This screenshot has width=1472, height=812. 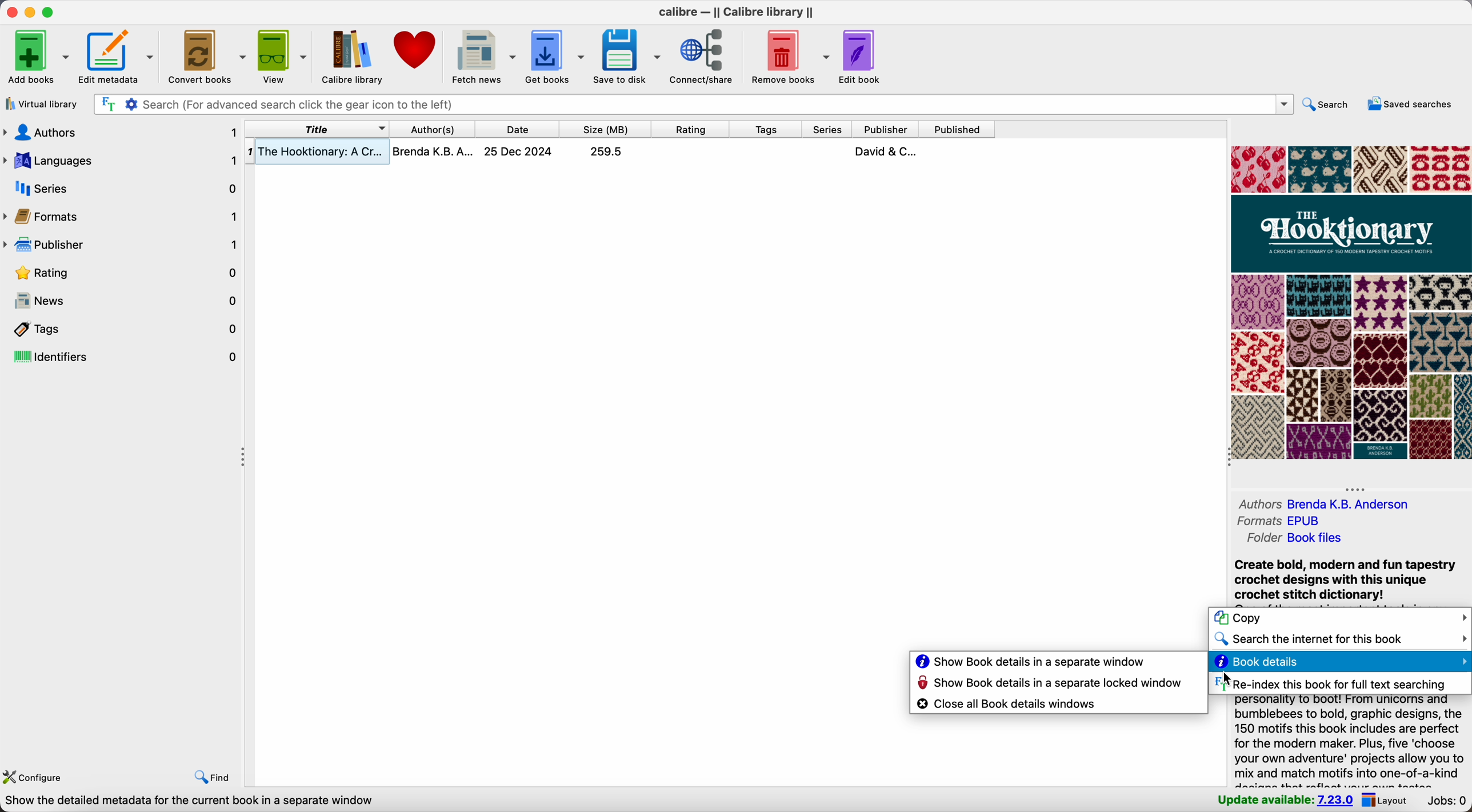 I want to click on search, so click(x=1324, y=105).